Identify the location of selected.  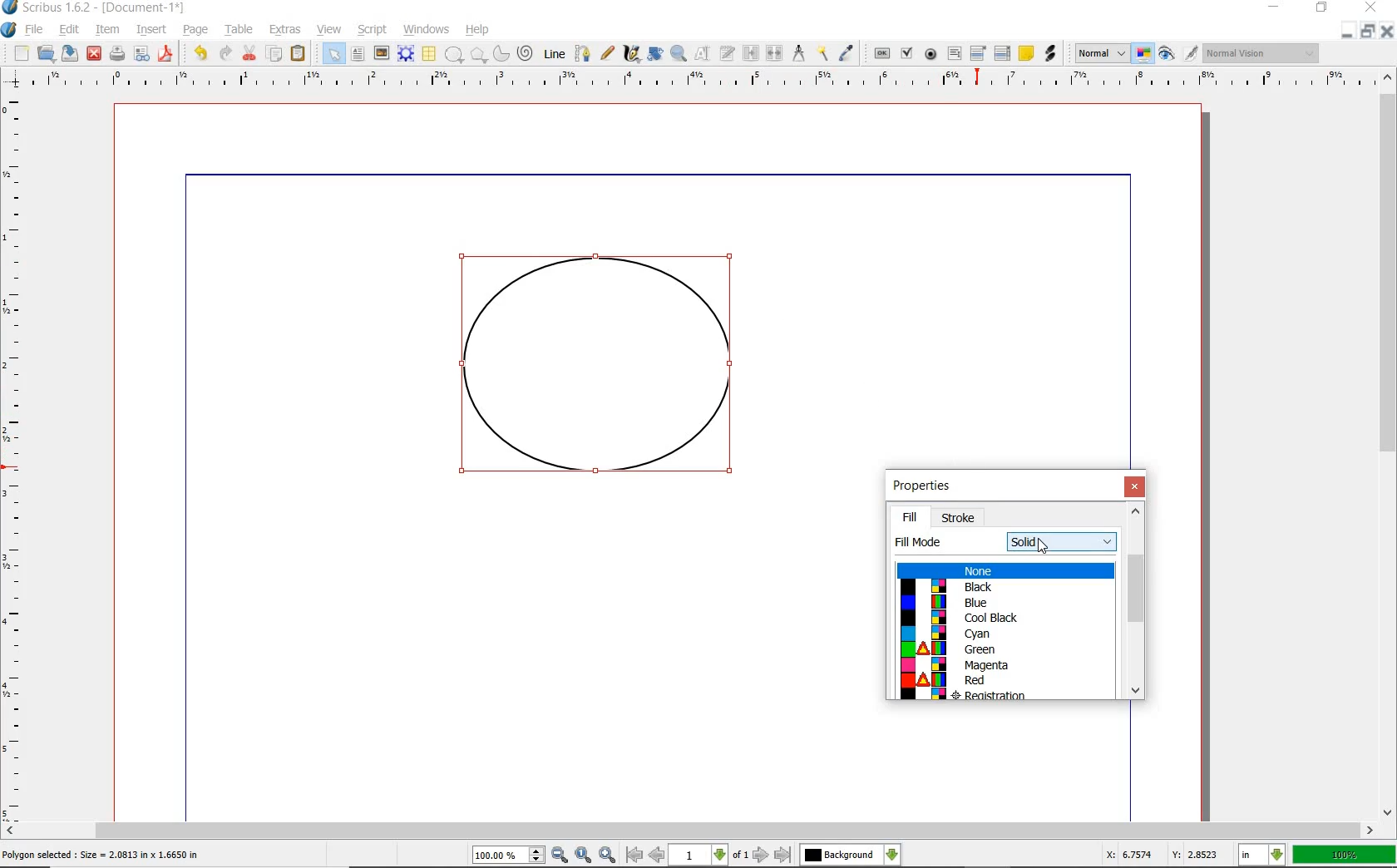
(101, 856).